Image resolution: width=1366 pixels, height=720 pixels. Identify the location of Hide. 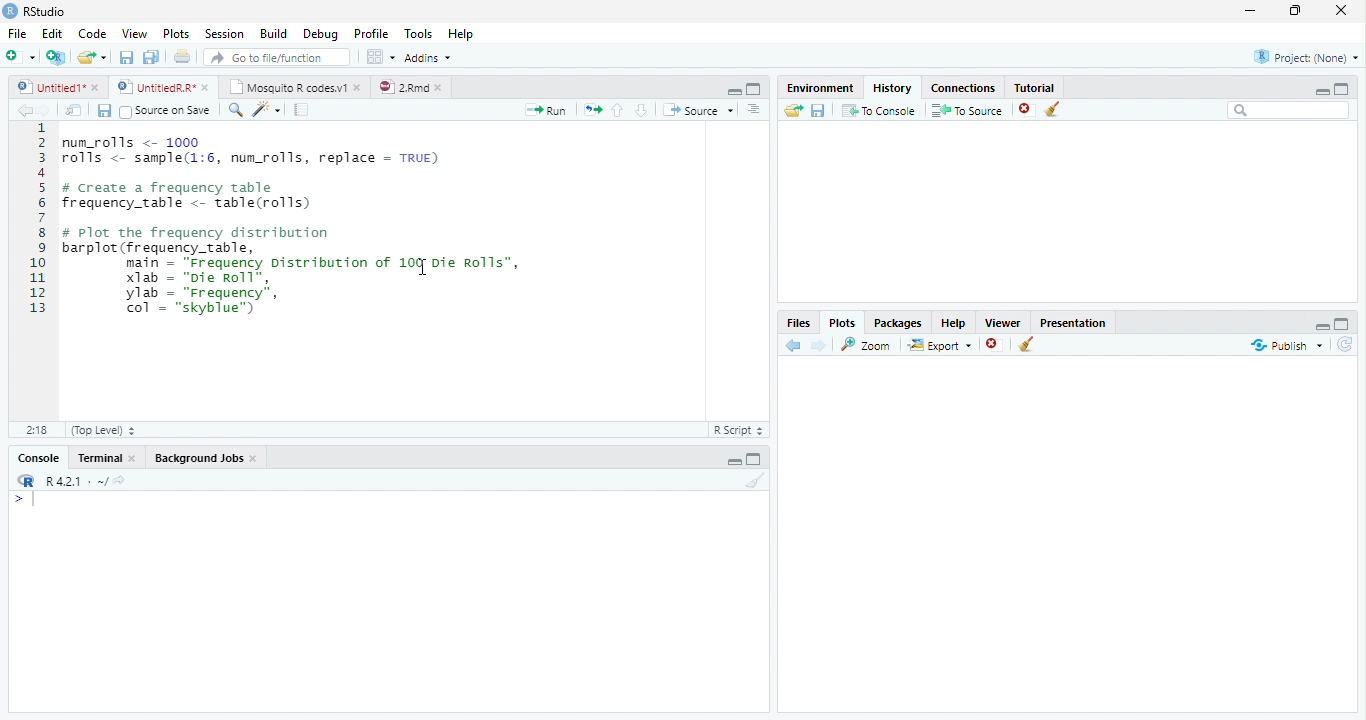
(732, 91).